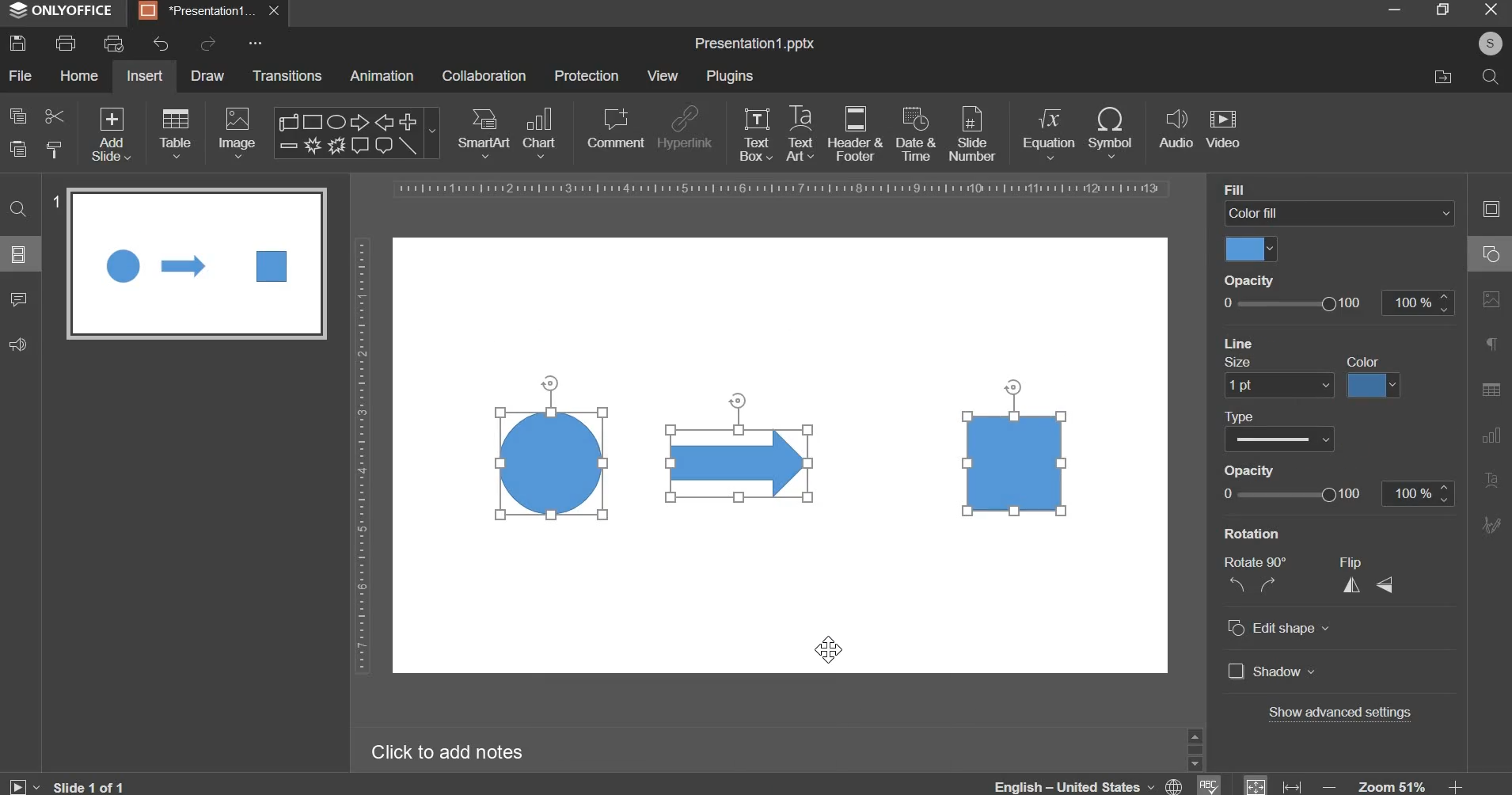 The width and height of the screenshot is (1512, 795). I want to click on file location, so click(1442, 77).